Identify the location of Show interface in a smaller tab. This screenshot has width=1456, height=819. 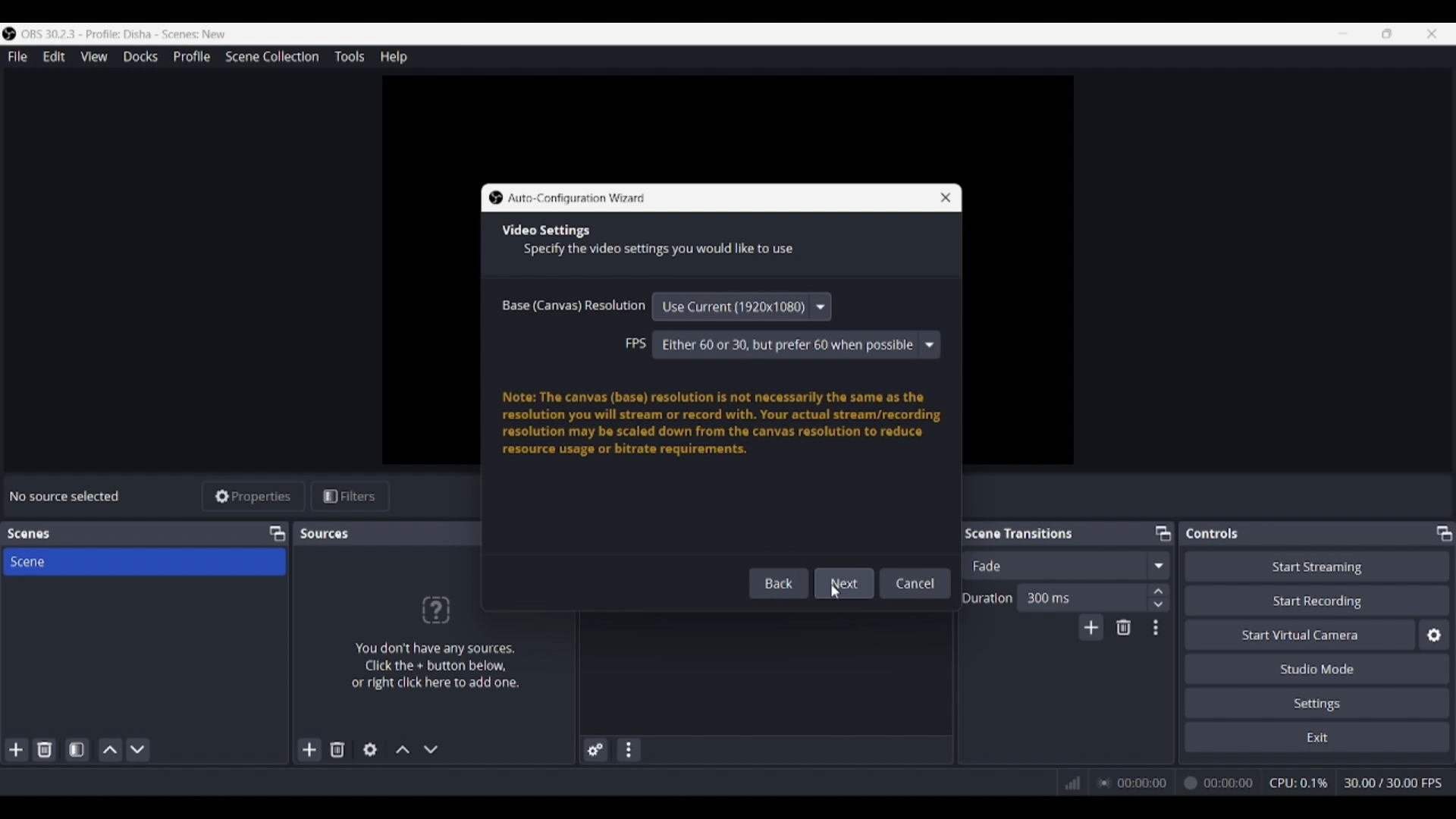
(1387, 33).